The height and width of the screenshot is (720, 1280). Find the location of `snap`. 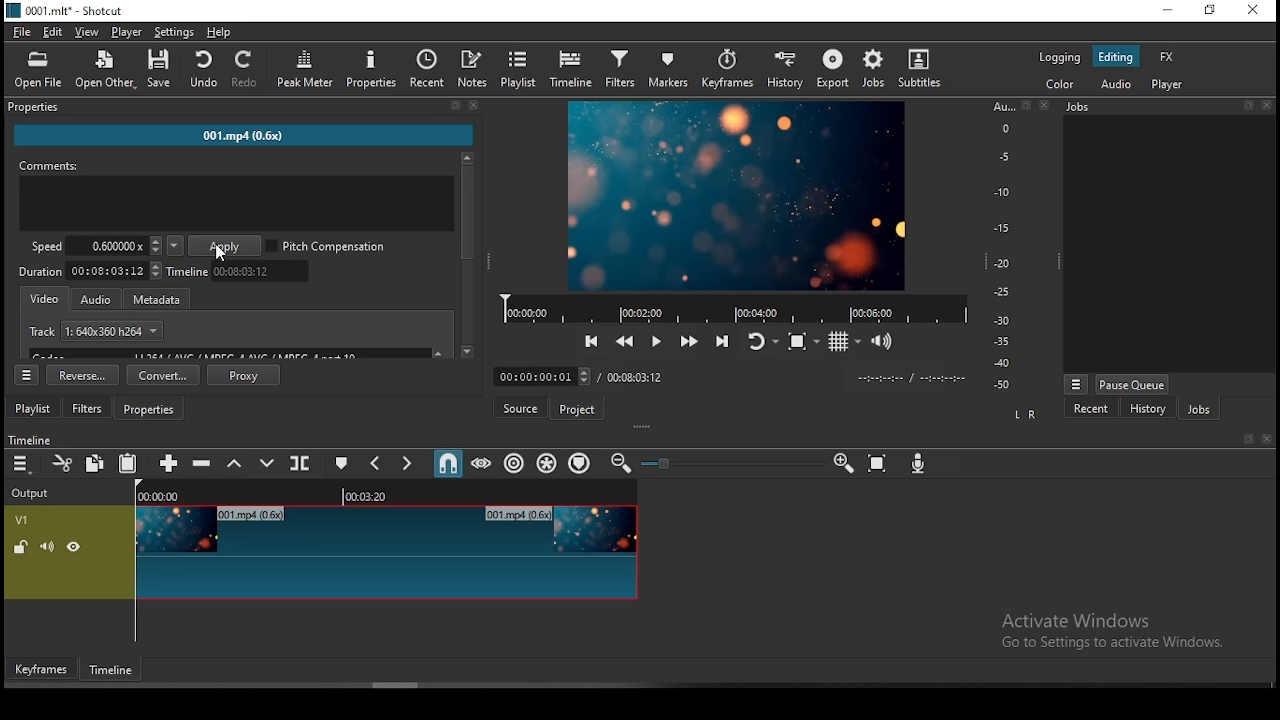

snap is located at coordinates (450, 463).